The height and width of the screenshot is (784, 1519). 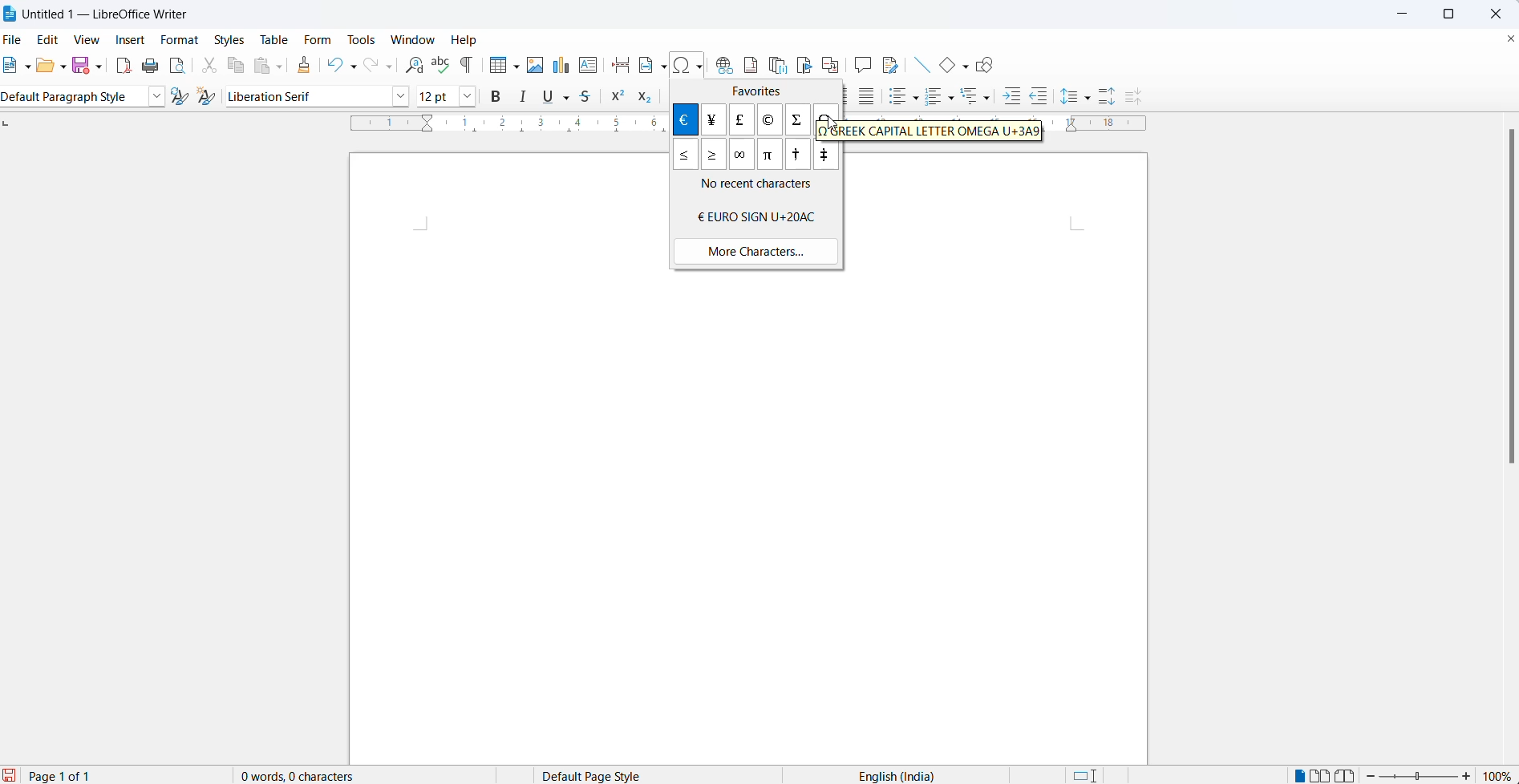 What do you see at coordinates (1088, 775) in the screenshot?
I see `standard selection` at bounding box center [1088, 775].